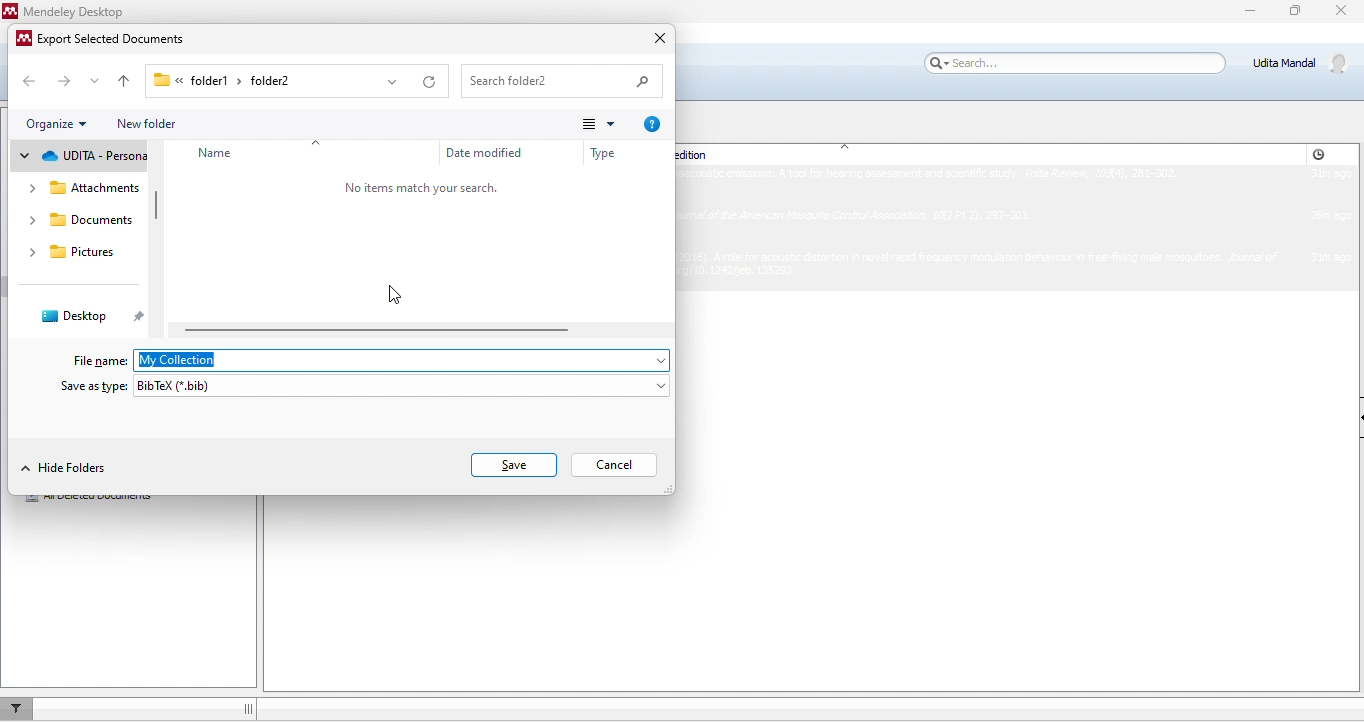 Image resolution: width=1364 pixels, height=722 pixels. What do you see at coordinates (431, 78) in the screenshot?
I see `refresh` at bounding box center [431, 78].